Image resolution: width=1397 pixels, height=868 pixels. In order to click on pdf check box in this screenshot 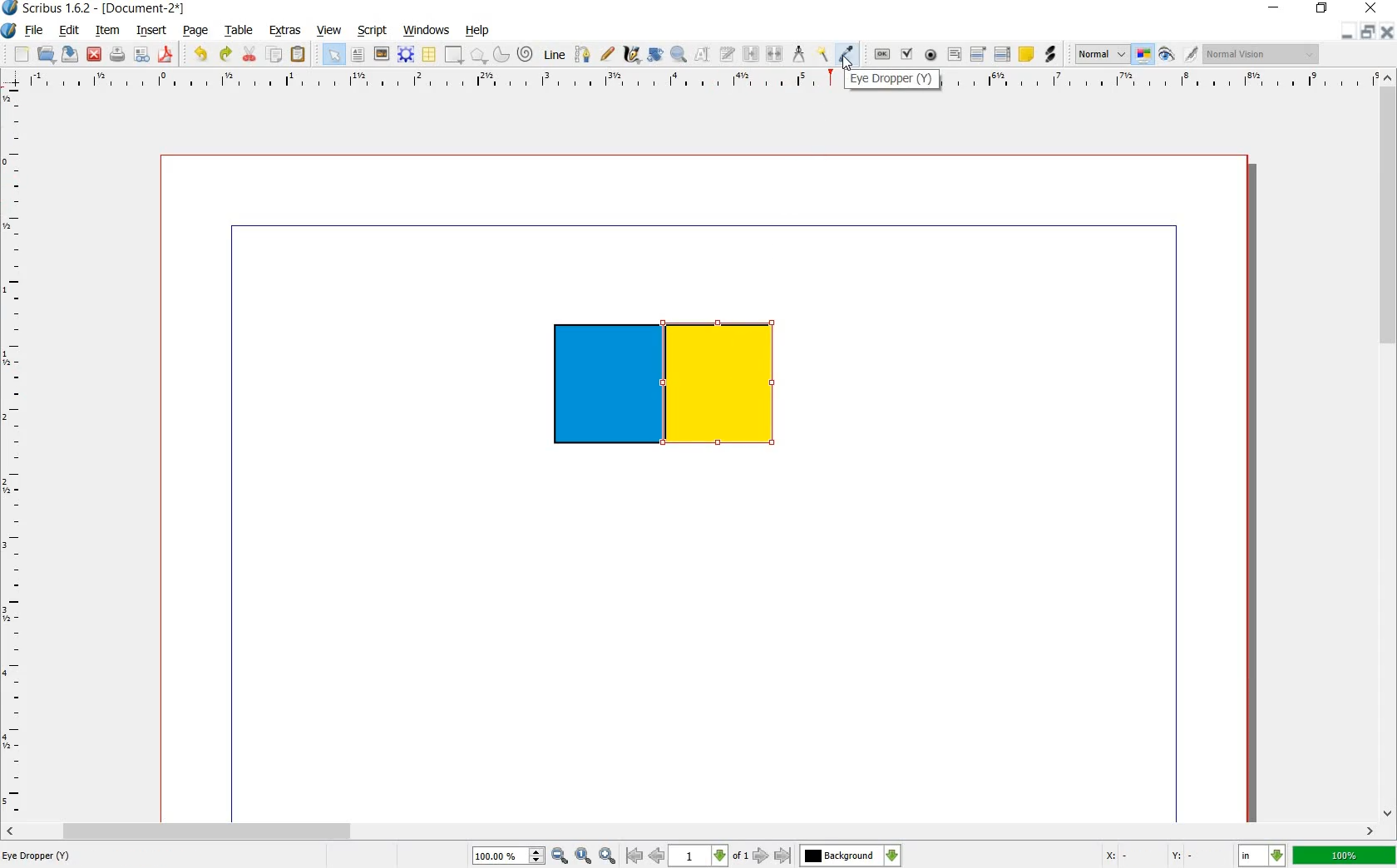, I will do `click(906, 54)`.